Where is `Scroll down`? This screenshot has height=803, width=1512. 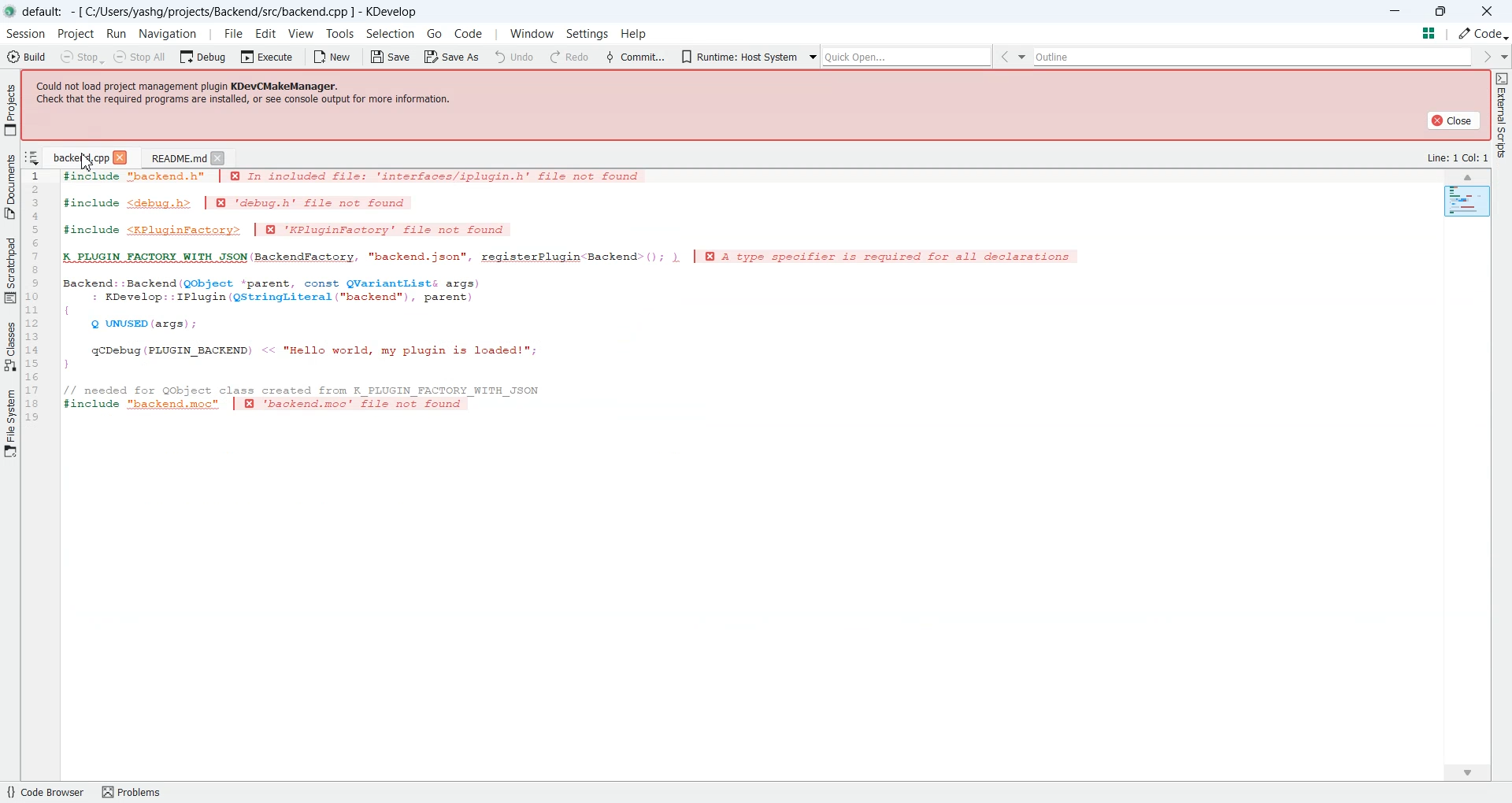
Scroll down is located at coordinates (1466, 772).